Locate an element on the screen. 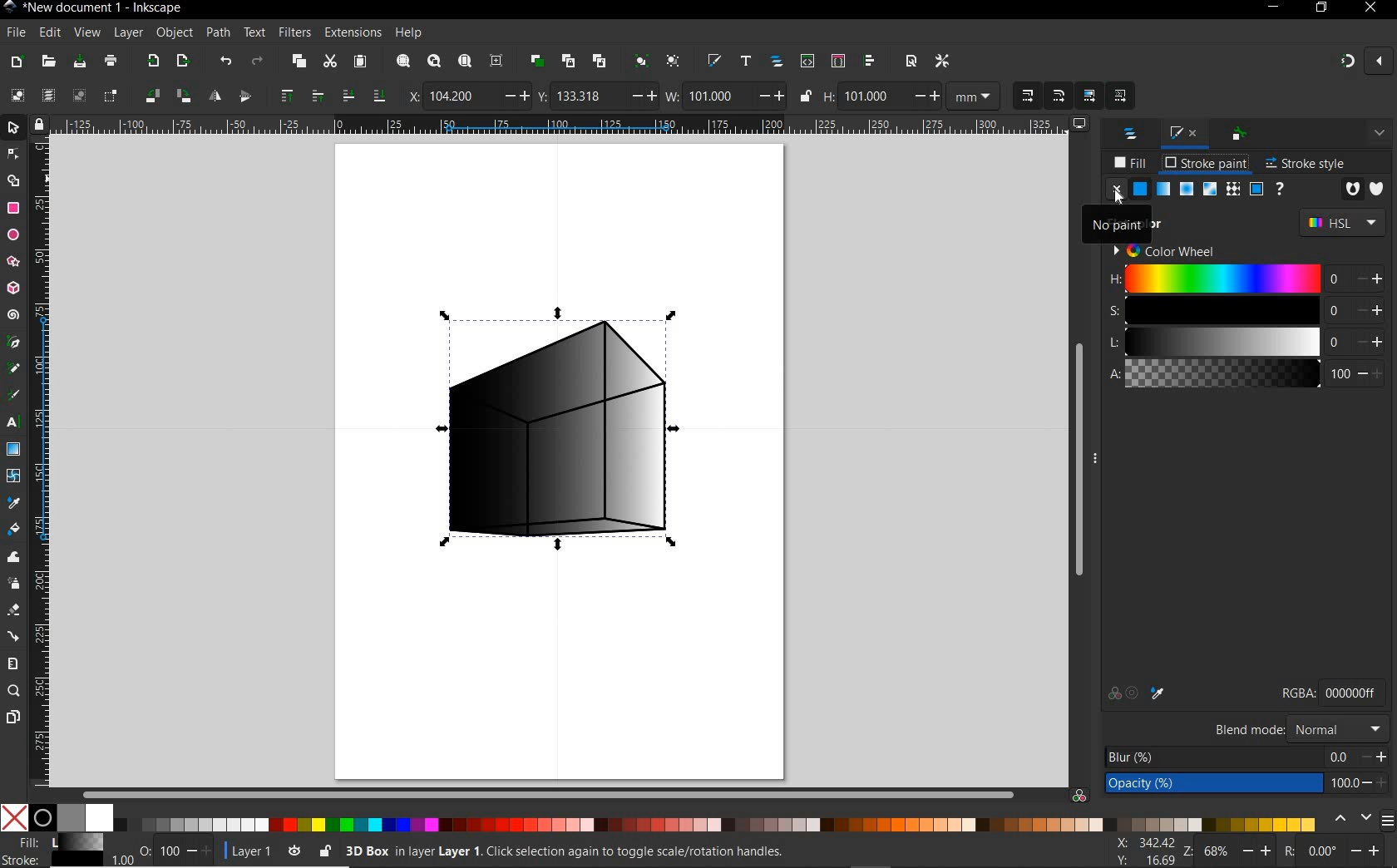  OPACITY is located at coordinates (146, 846).